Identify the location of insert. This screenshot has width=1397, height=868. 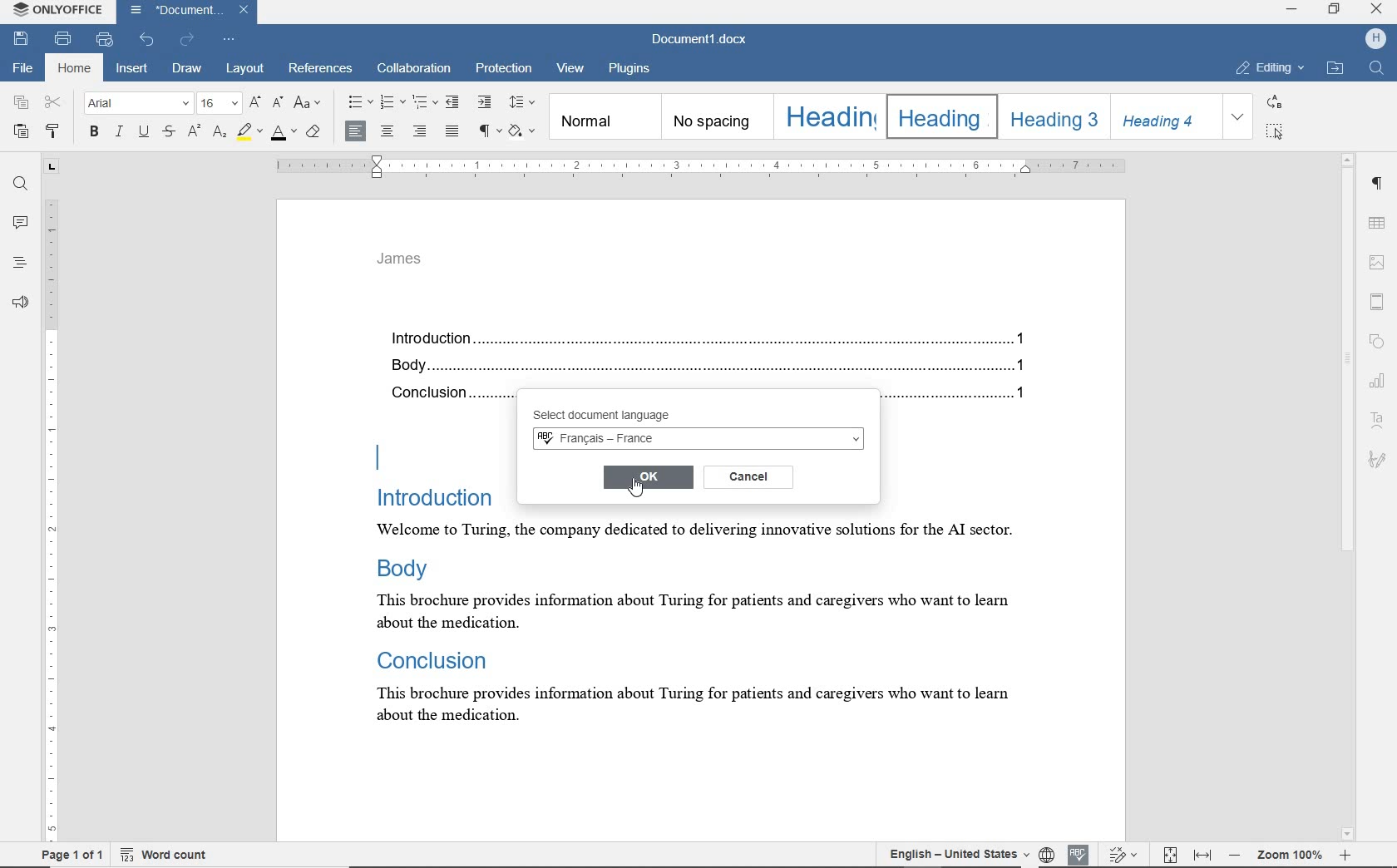
(131, 69).